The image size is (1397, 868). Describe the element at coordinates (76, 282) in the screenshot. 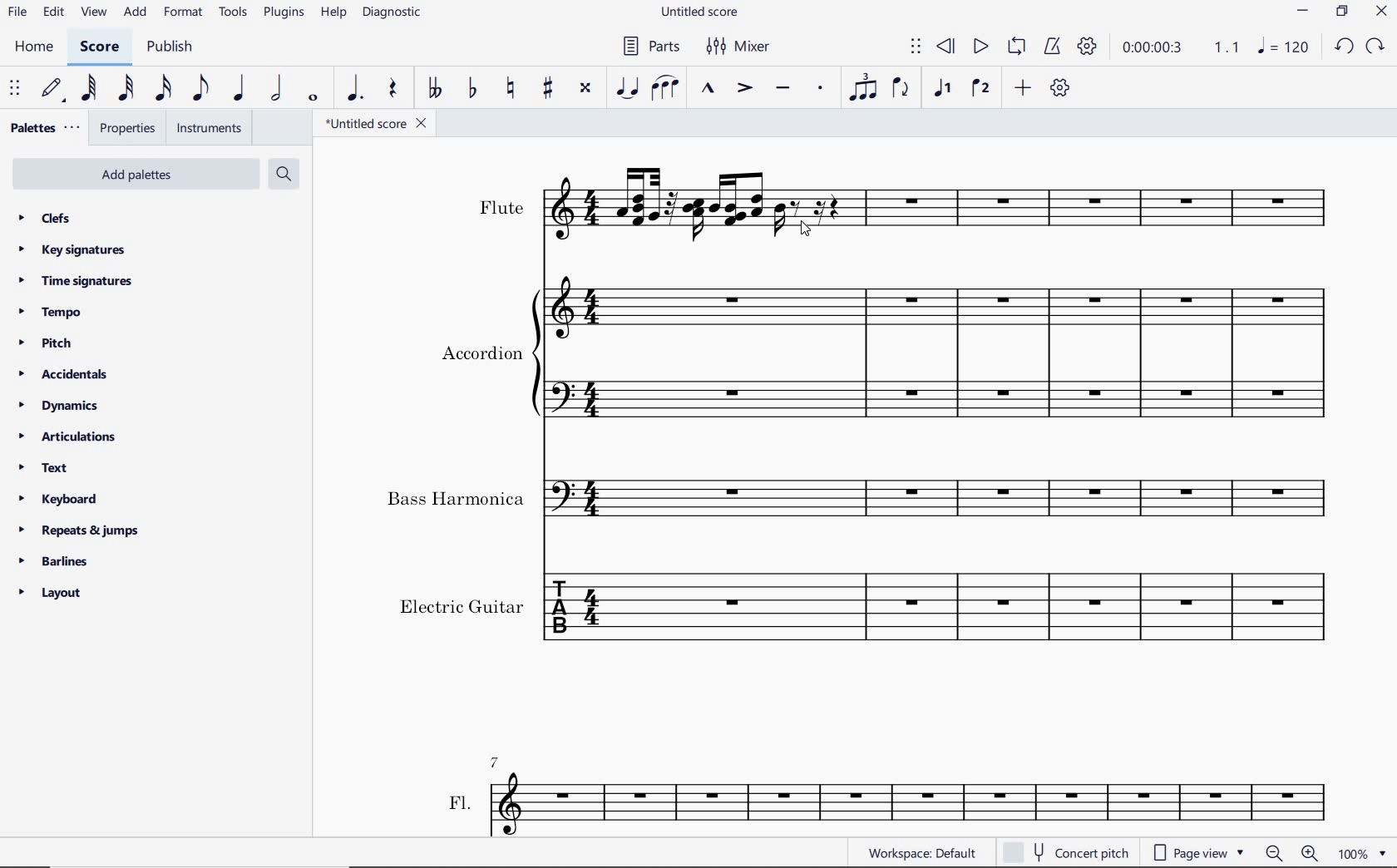

I see `time signatures` at that location.